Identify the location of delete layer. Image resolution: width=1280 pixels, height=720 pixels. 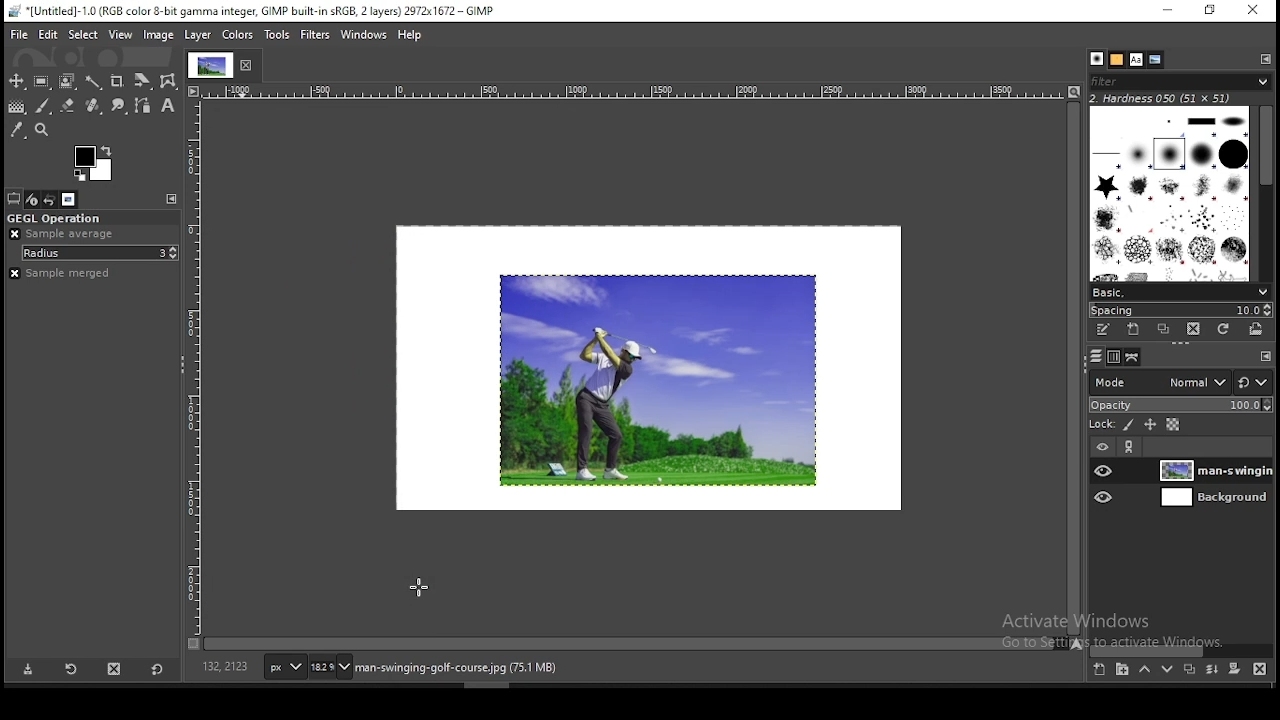
(1260, 670).